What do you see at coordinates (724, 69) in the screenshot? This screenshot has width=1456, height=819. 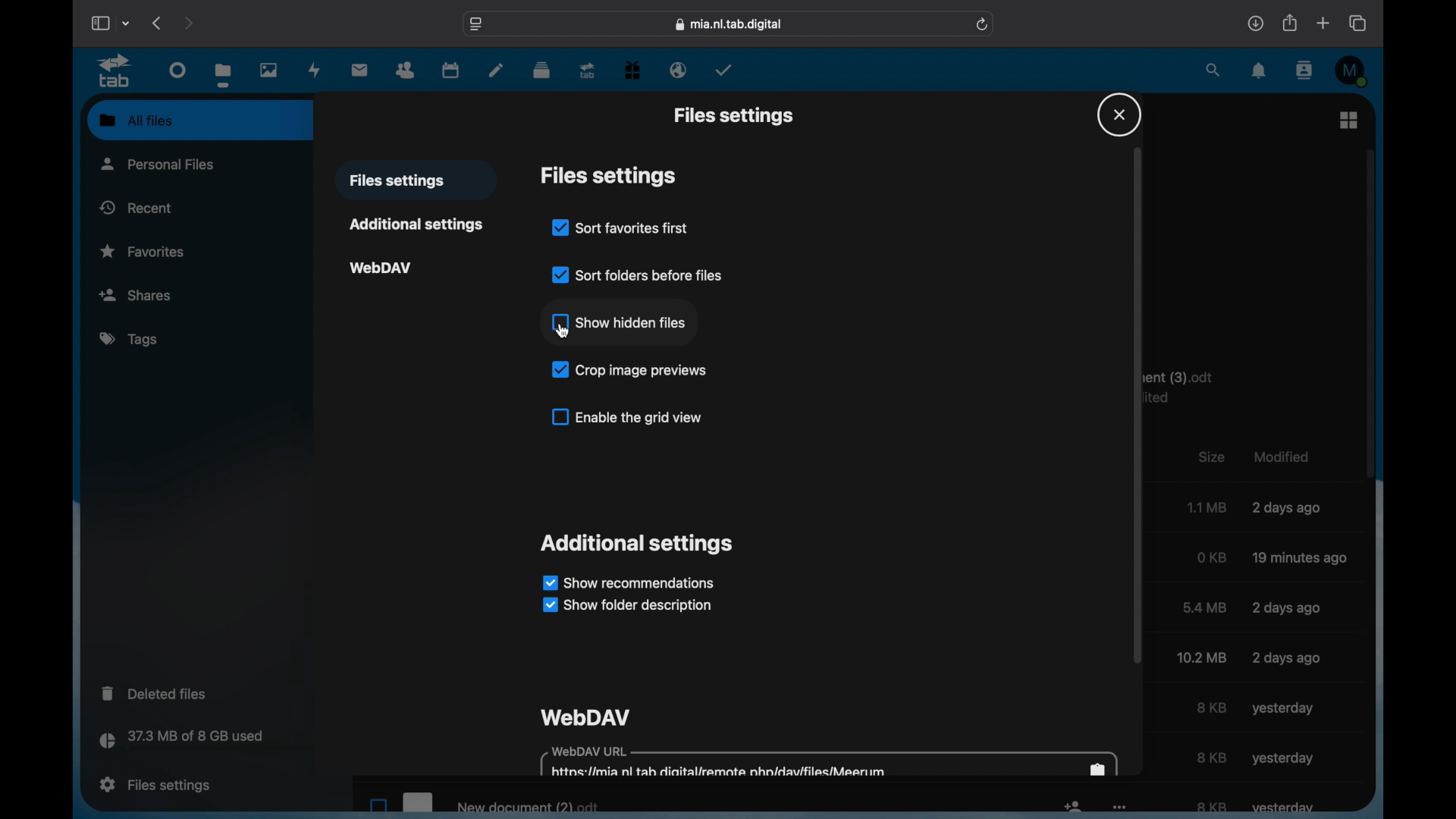 I see `tasks` at bounding box center [724, 69].